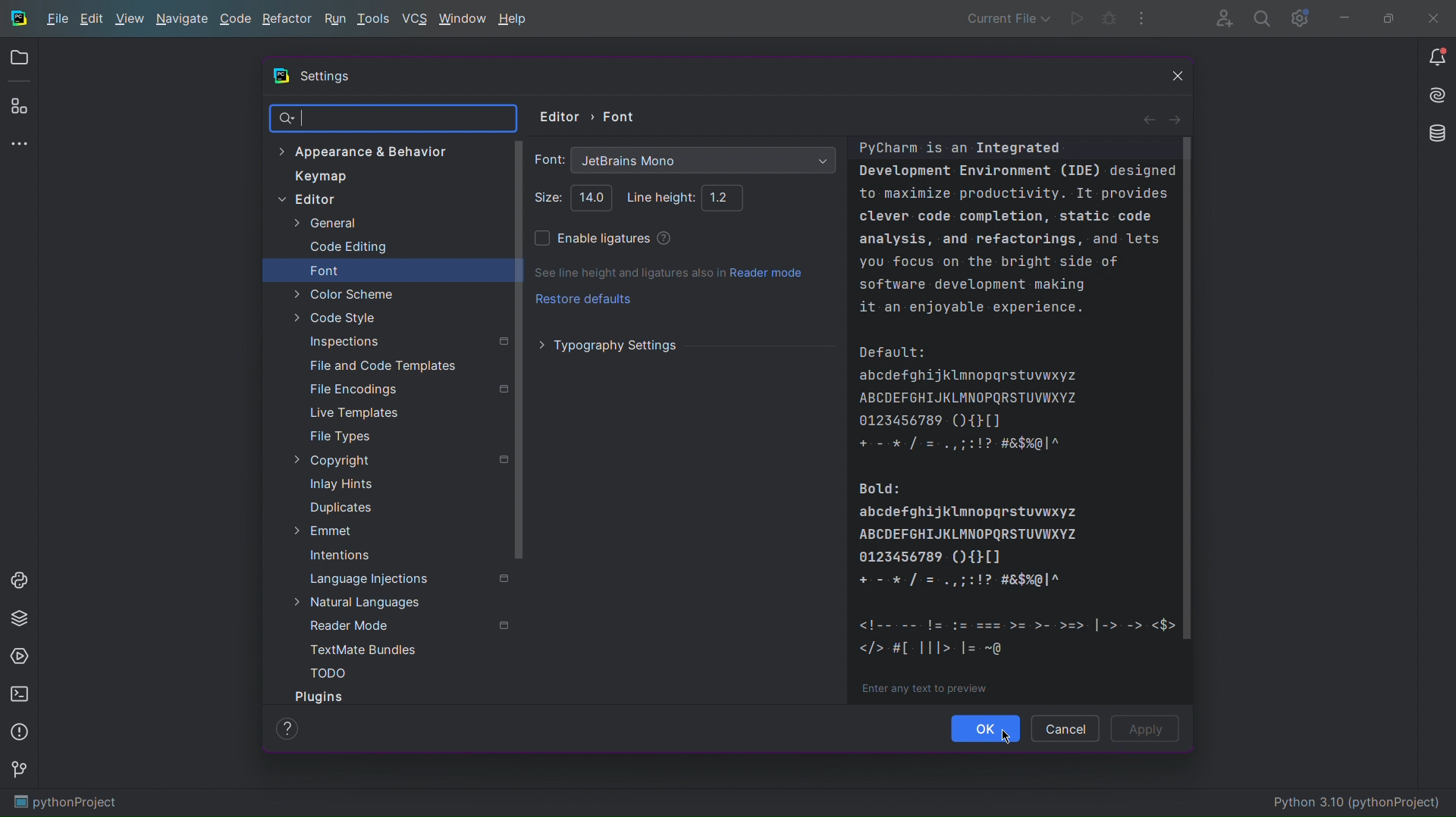 This screenshot has width=1456, height=817. Describe the element at coordinates (21, 146) in the screenshot. I see `More` at that location.